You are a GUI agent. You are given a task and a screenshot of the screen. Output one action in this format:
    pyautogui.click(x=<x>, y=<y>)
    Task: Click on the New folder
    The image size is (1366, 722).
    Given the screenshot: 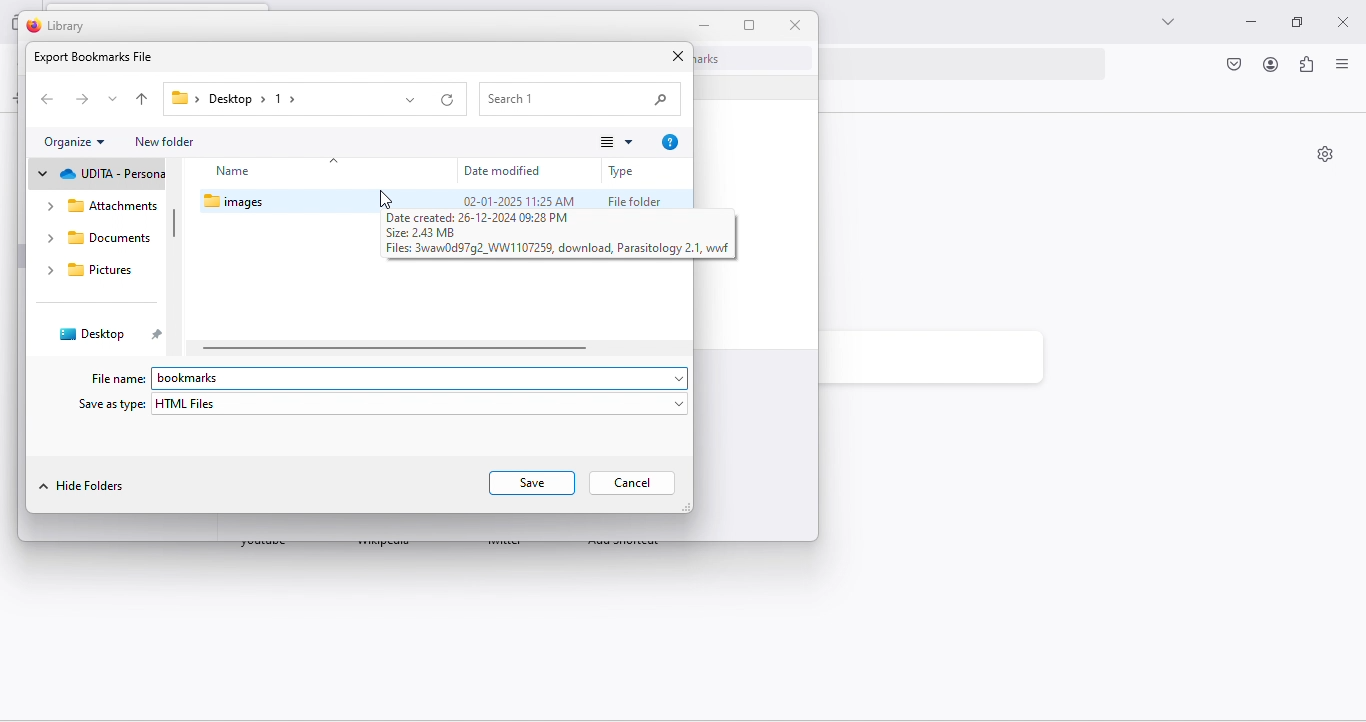 What is the action you would take?
    pyautogui.click(x=165, y=141)
    